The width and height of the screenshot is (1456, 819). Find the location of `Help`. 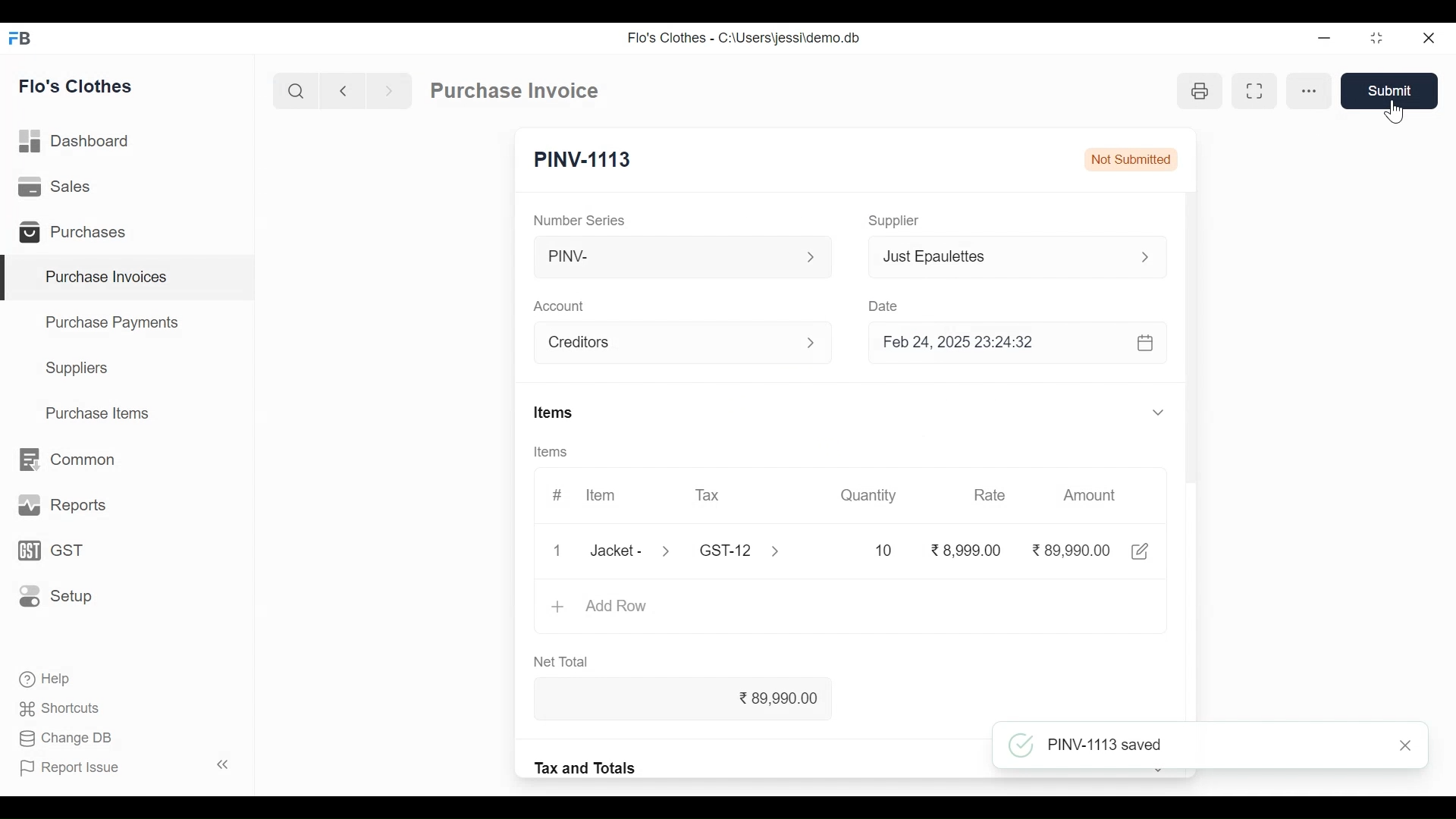

Help is located at coordinates (50, 679).